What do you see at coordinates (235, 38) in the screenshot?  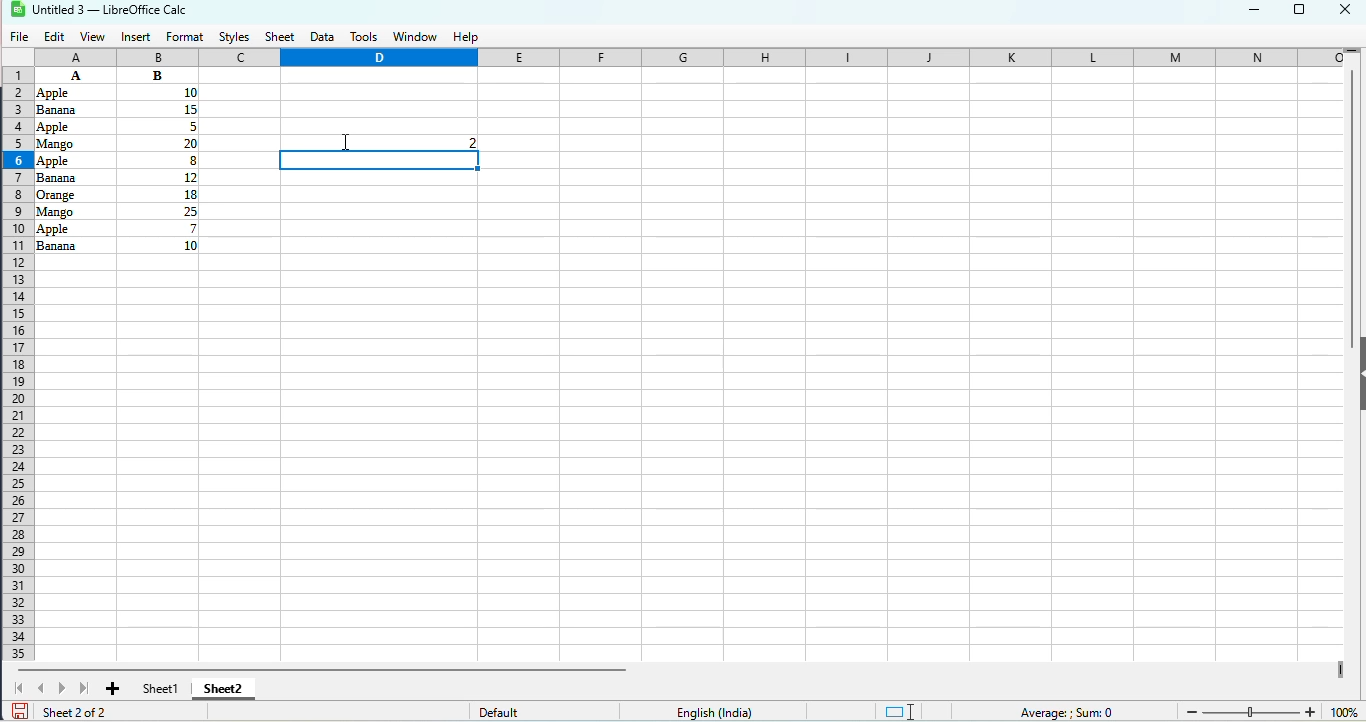 I see `styles` at bounding box center [235, 38].